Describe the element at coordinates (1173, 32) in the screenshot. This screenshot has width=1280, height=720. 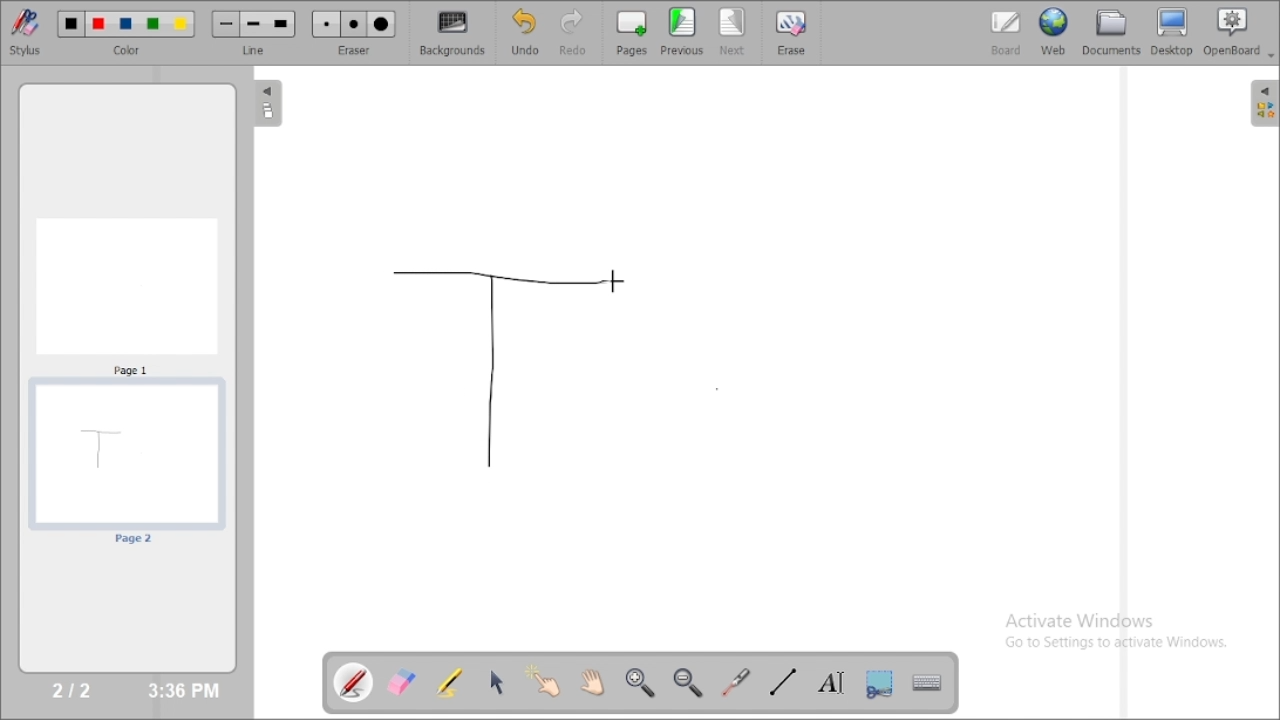
I see `desktop` at that location.